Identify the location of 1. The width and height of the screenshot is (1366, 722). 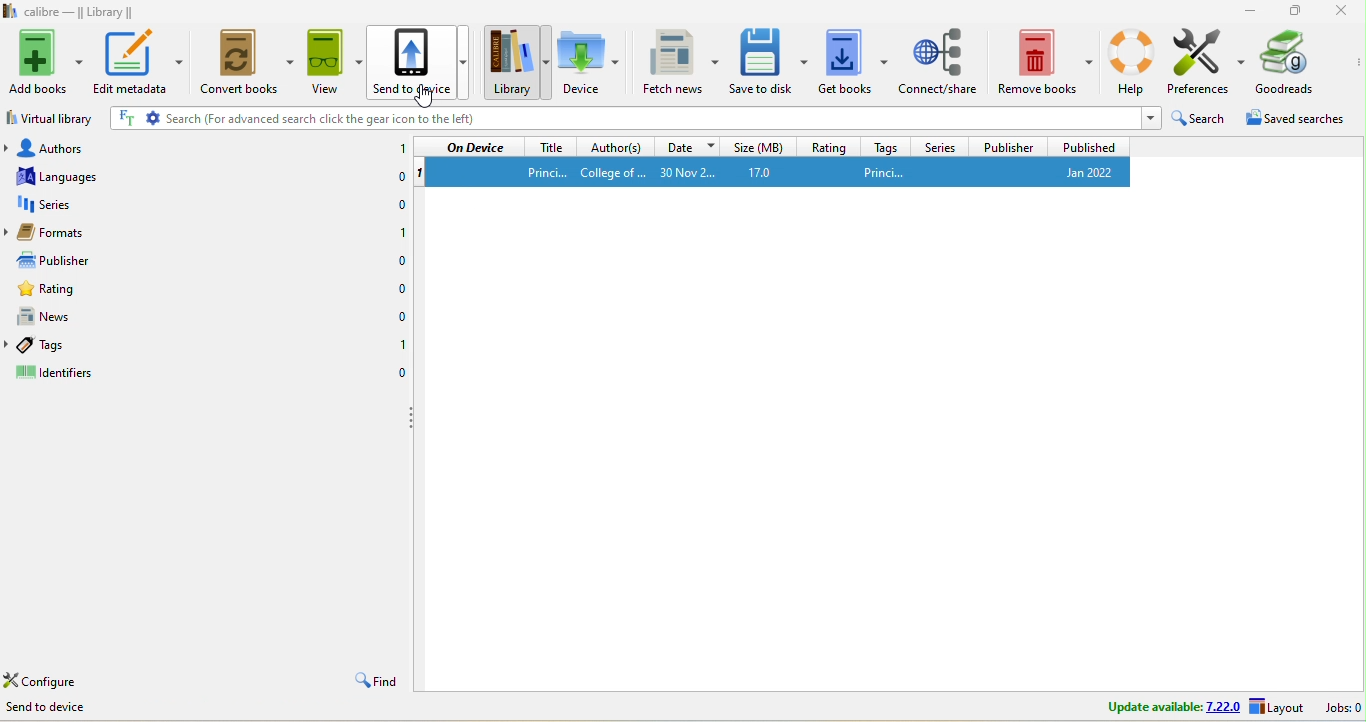
(394, 235).